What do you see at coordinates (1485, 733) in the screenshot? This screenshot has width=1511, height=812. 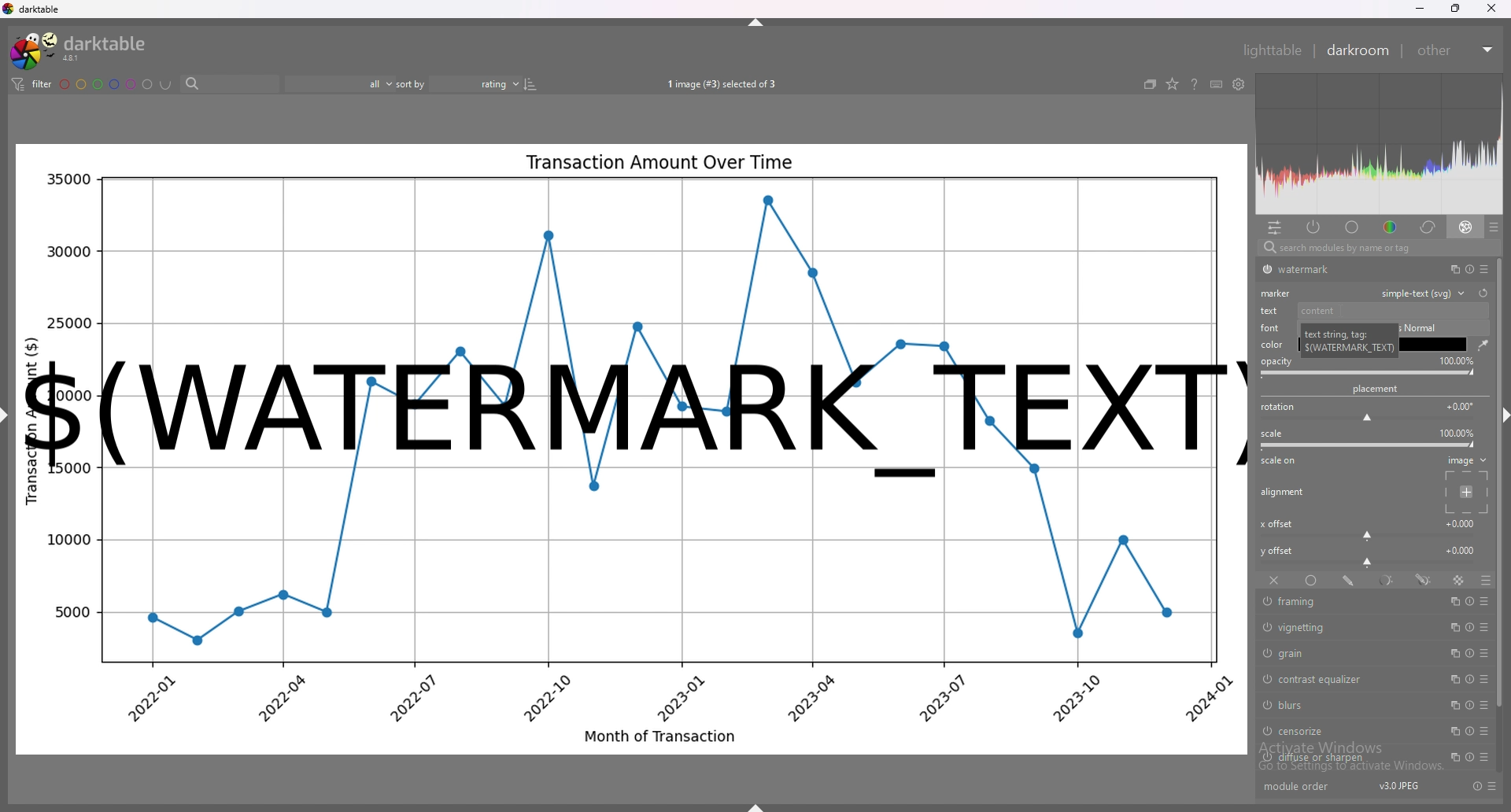 I see `presets` at bounding box center [1485, 733].